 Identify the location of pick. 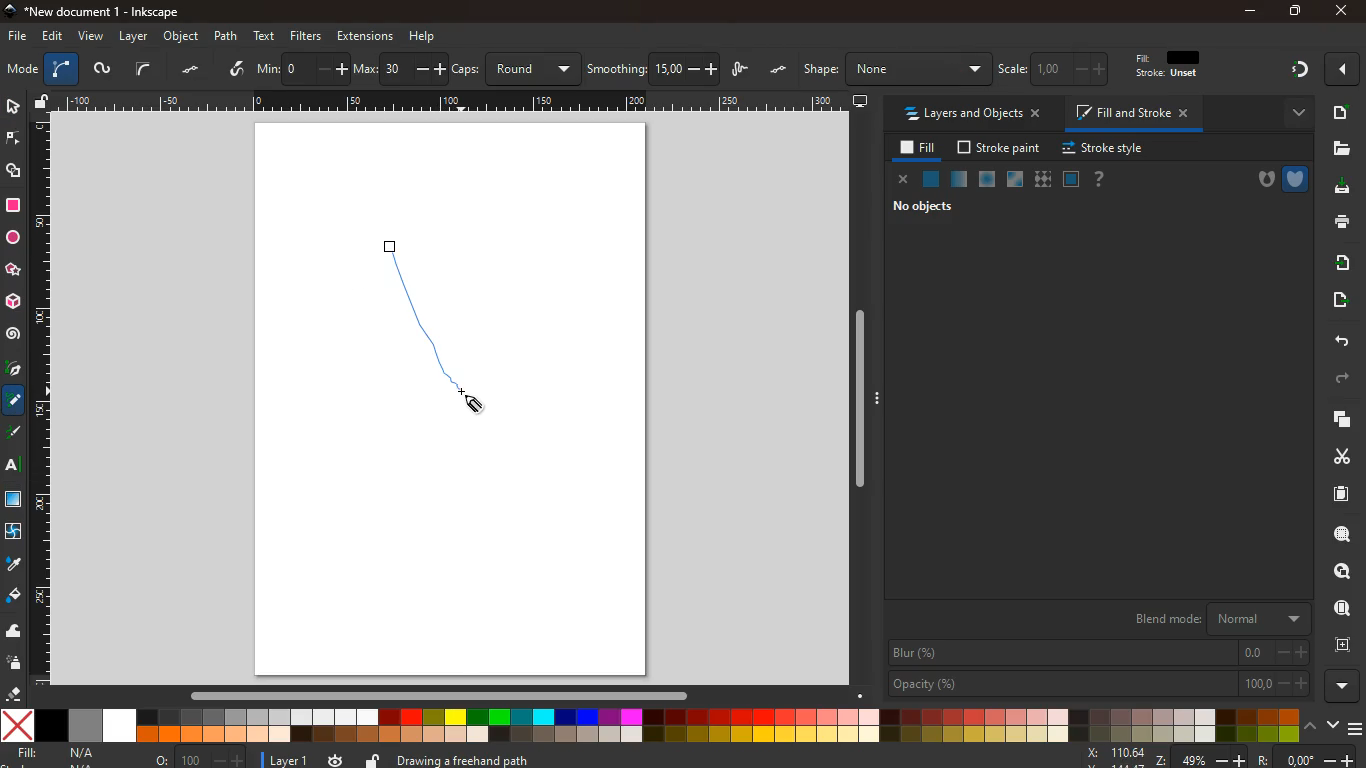
(12, 370).